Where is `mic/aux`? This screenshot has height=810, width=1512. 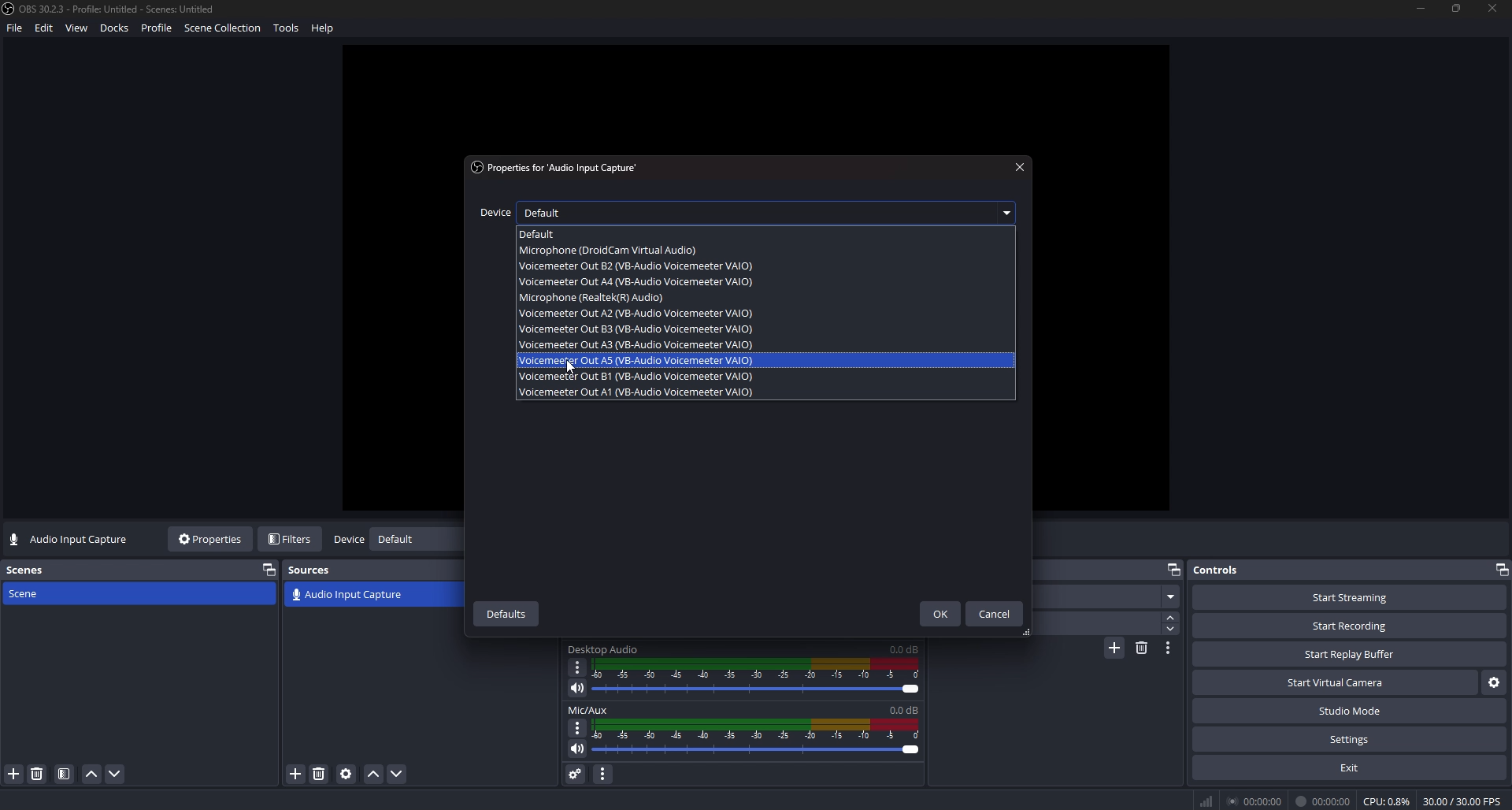 mic/aux is located at coordinates (598, 709).